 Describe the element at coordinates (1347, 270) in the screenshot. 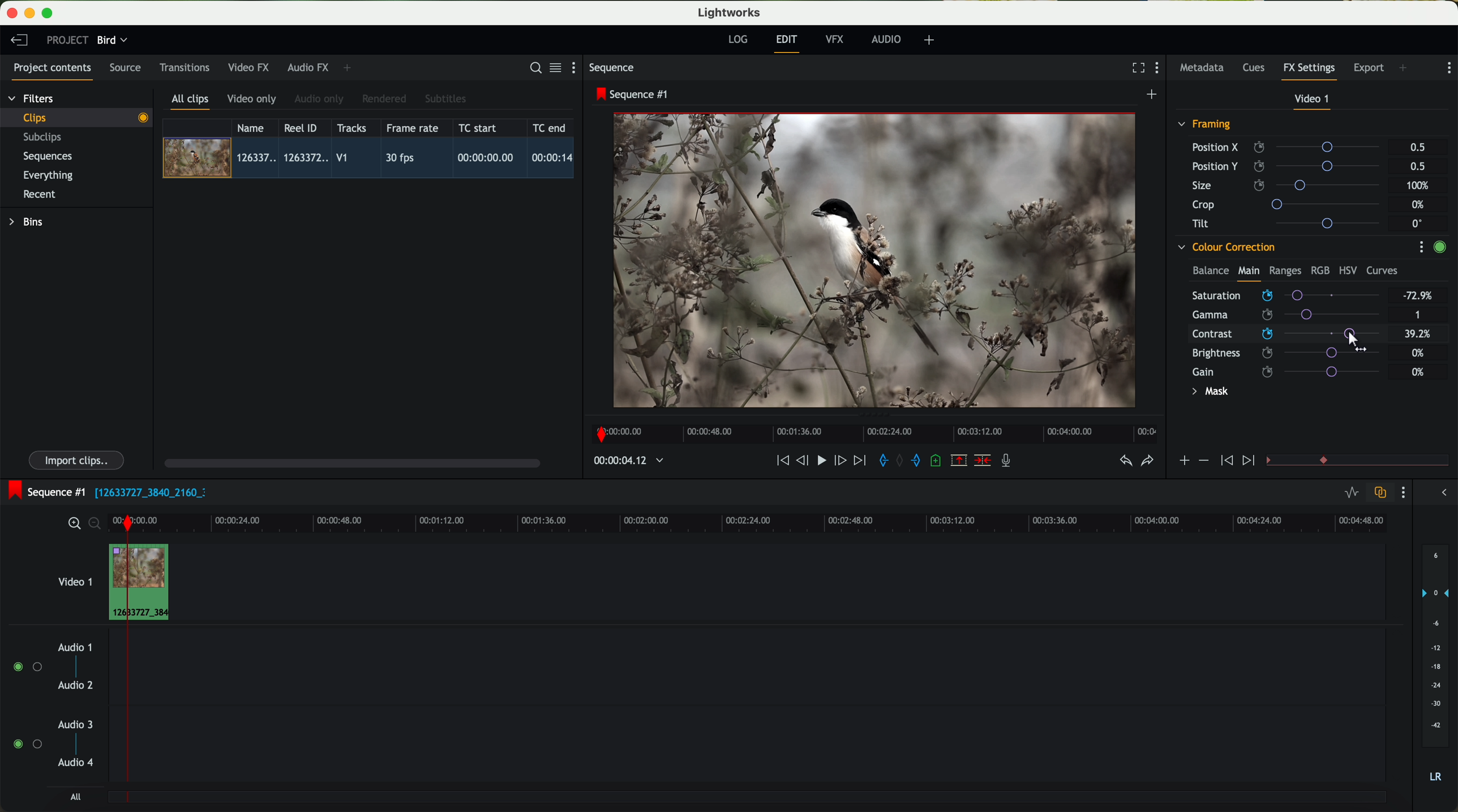

I see `HSV` at that location.